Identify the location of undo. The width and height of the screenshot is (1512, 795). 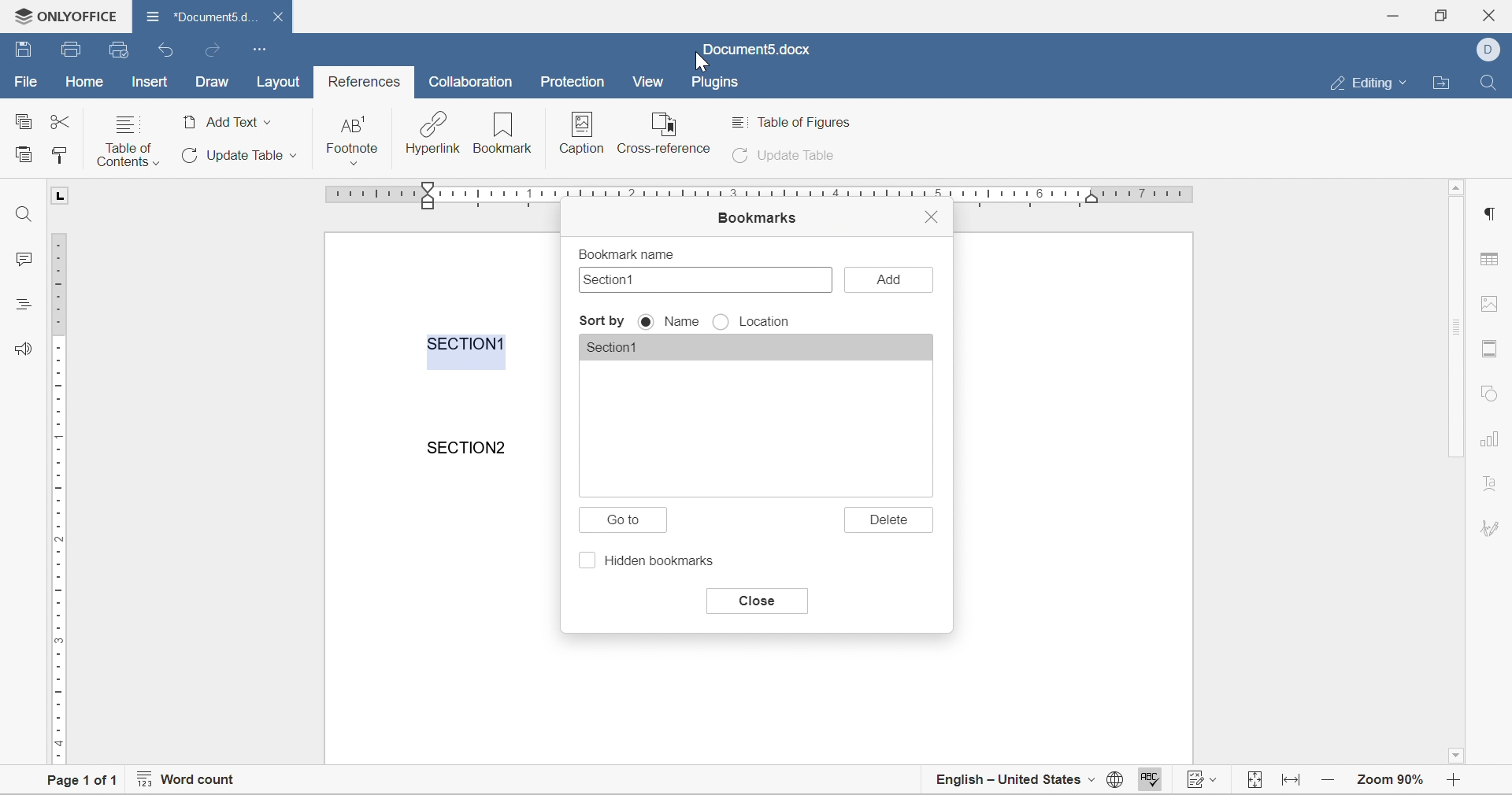
(168, 51).